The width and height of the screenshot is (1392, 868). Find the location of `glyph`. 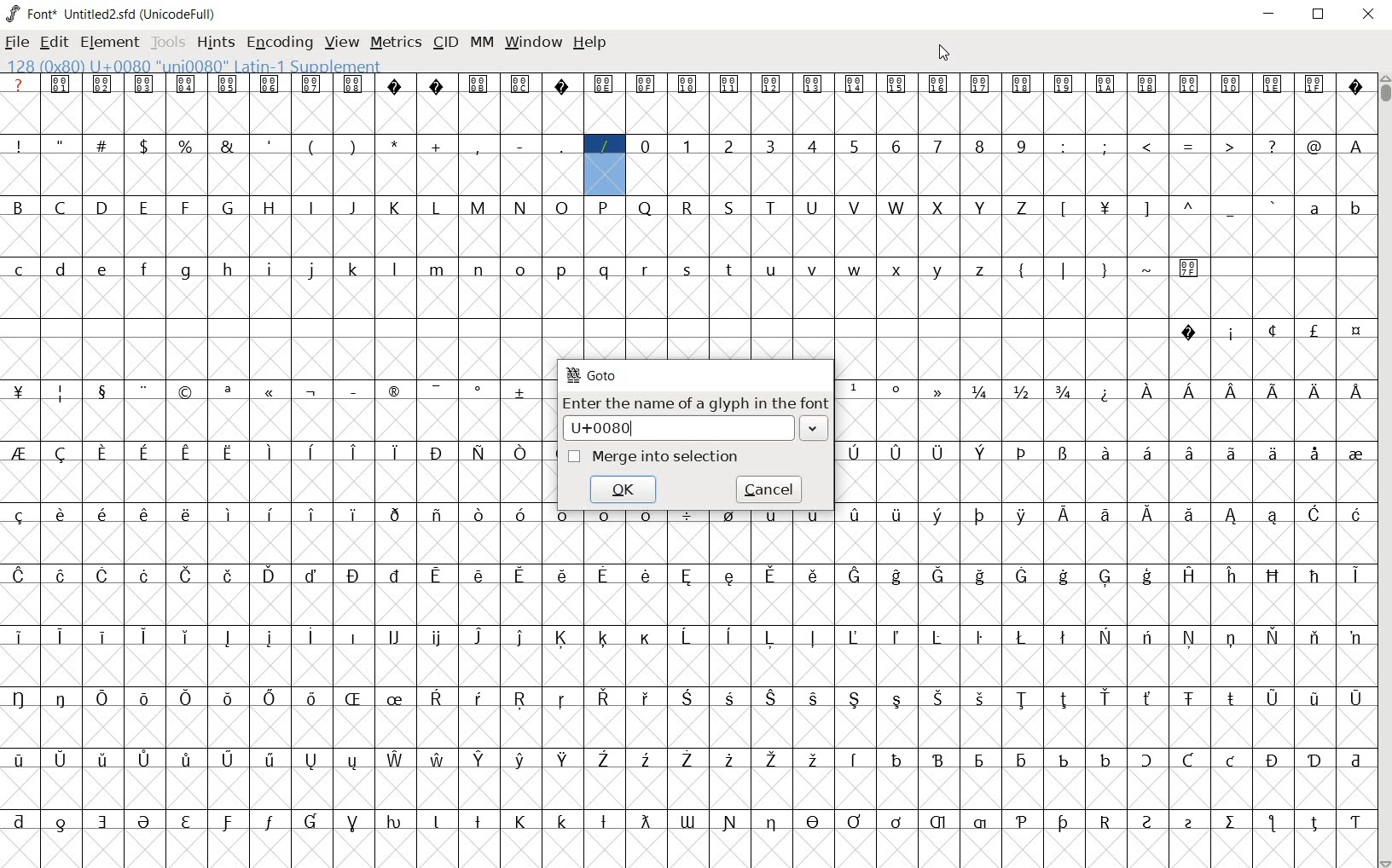

glyph is located at coordinates (1063, 700).